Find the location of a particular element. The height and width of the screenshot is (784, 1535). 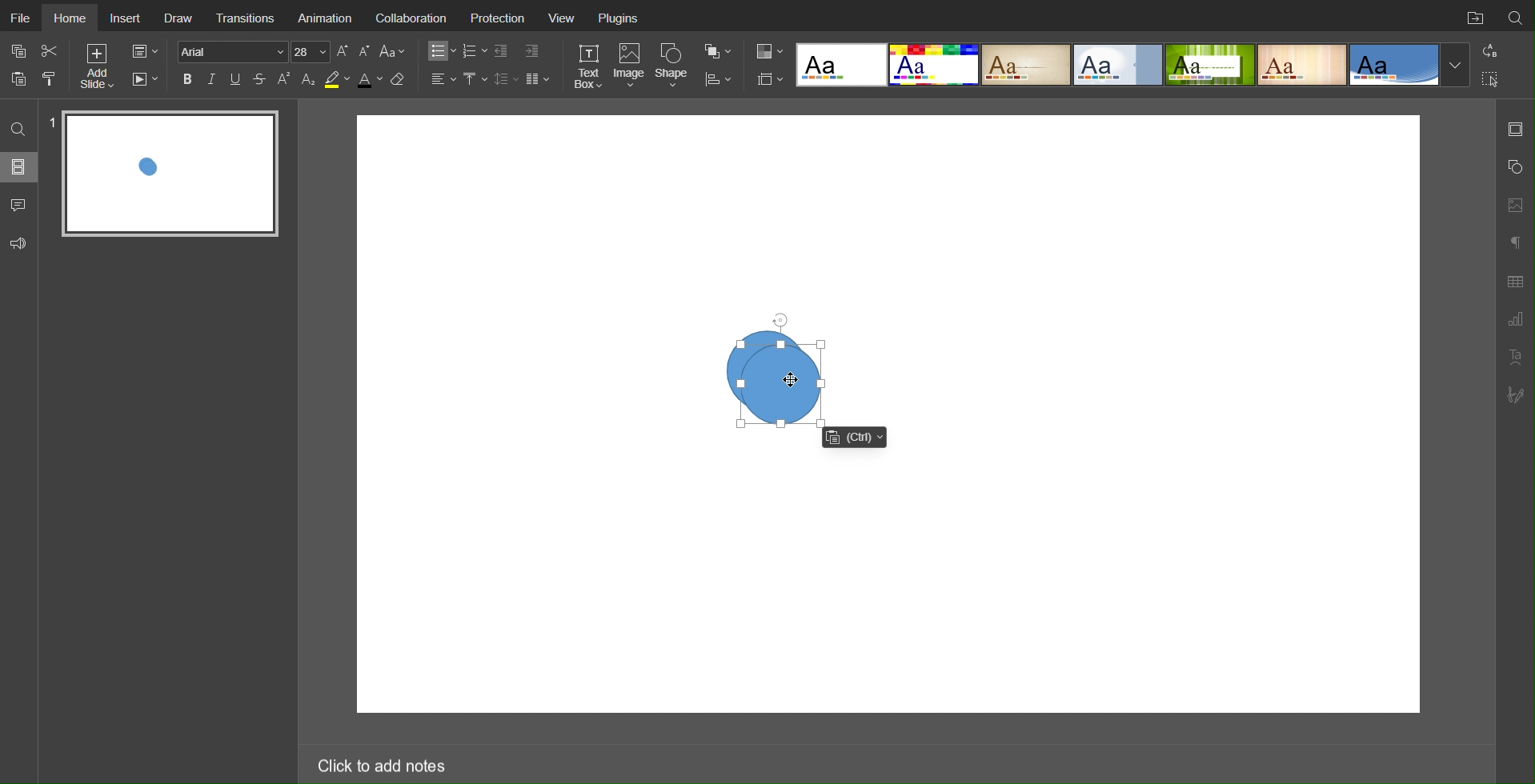

Columns is located at coordinates (539, 78).